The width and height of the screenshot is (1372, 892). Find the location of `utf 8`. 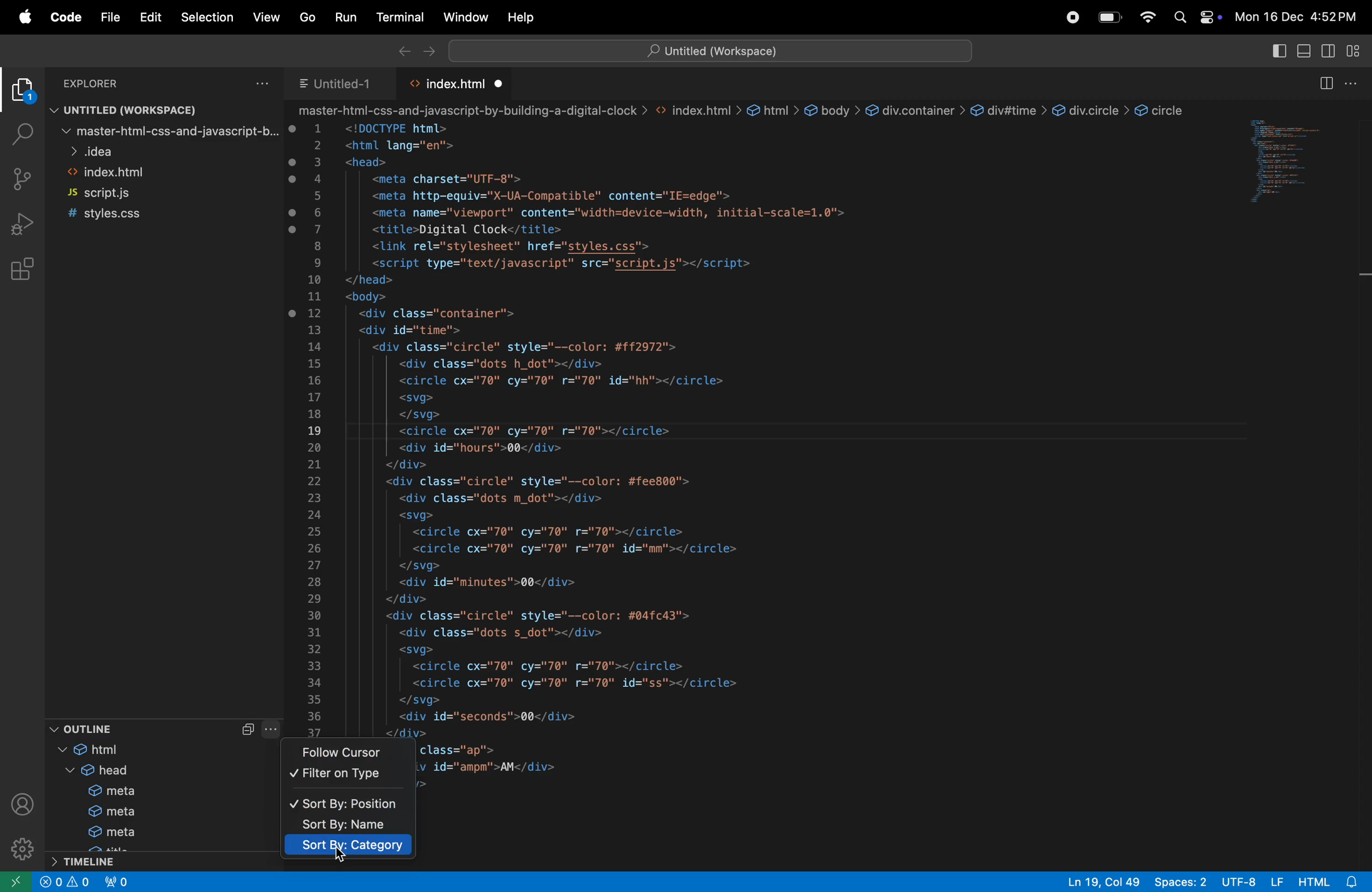

utf 8 is located at coordinates (1250, 882).